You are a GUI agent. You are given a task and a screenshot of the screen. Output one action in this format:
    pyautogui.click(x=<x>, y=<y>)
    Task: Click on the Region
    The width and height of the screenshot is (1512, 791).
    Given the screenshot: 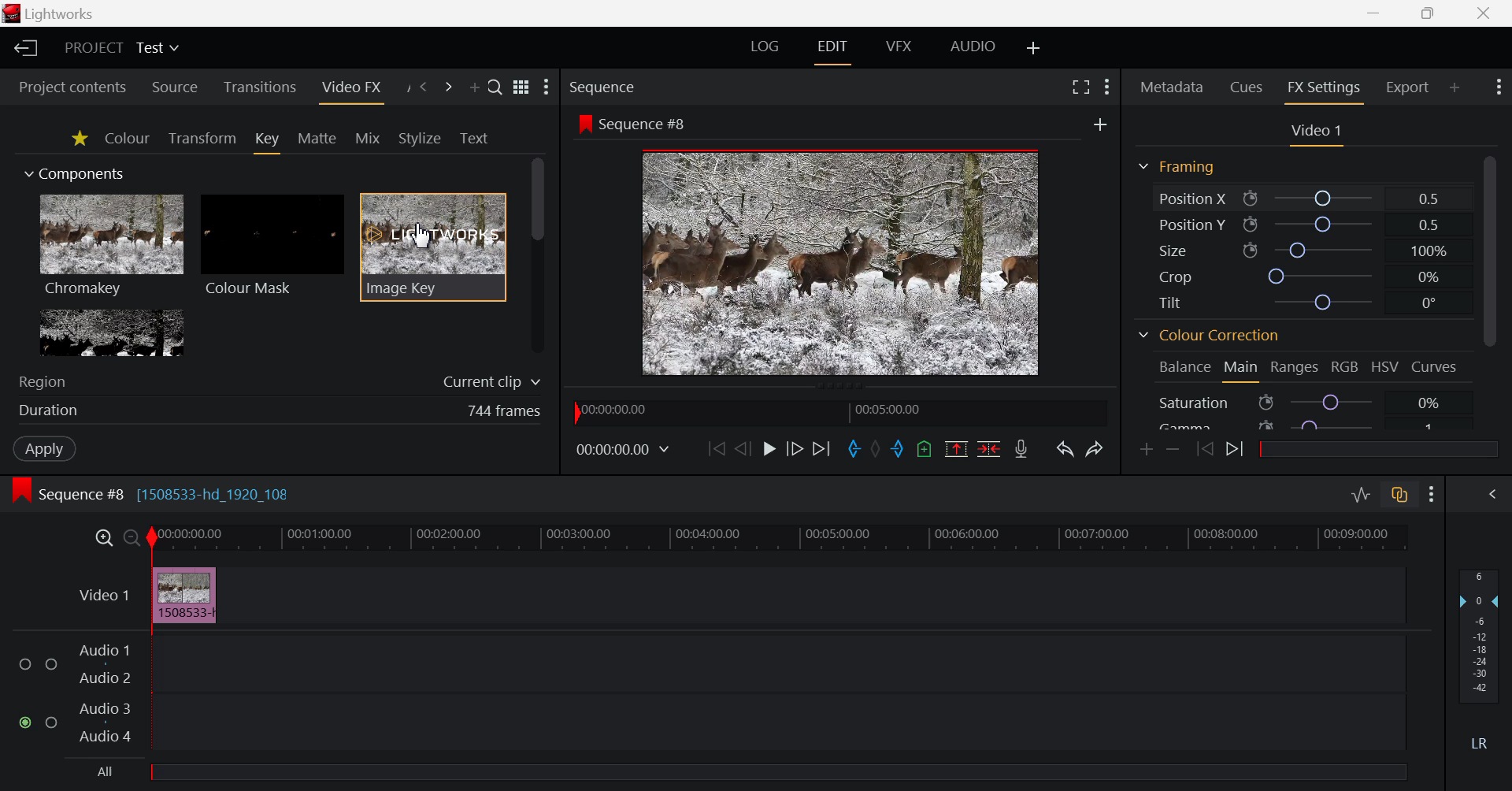 What is the action you would take?
    pyautogui.click(x=45, y=383)
    